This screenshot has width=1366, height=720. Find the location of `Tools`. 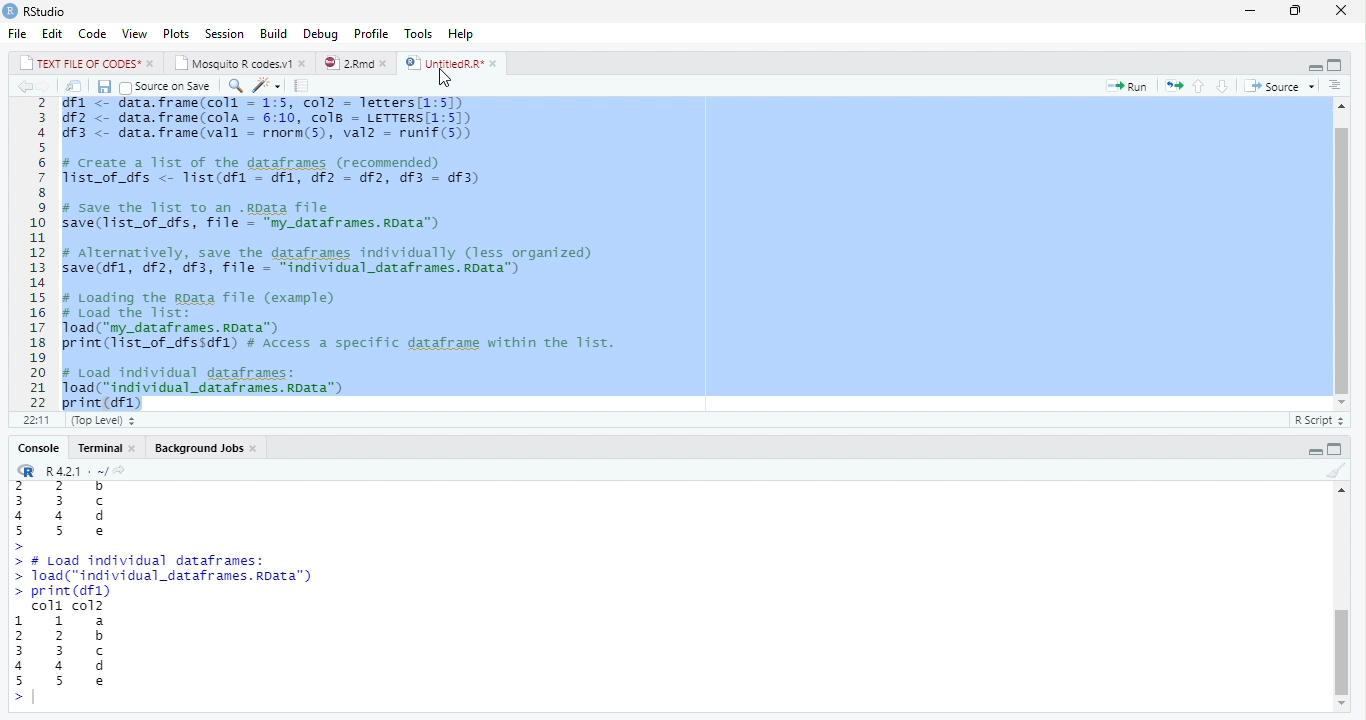

Tools is located at coordinates (421, 33).